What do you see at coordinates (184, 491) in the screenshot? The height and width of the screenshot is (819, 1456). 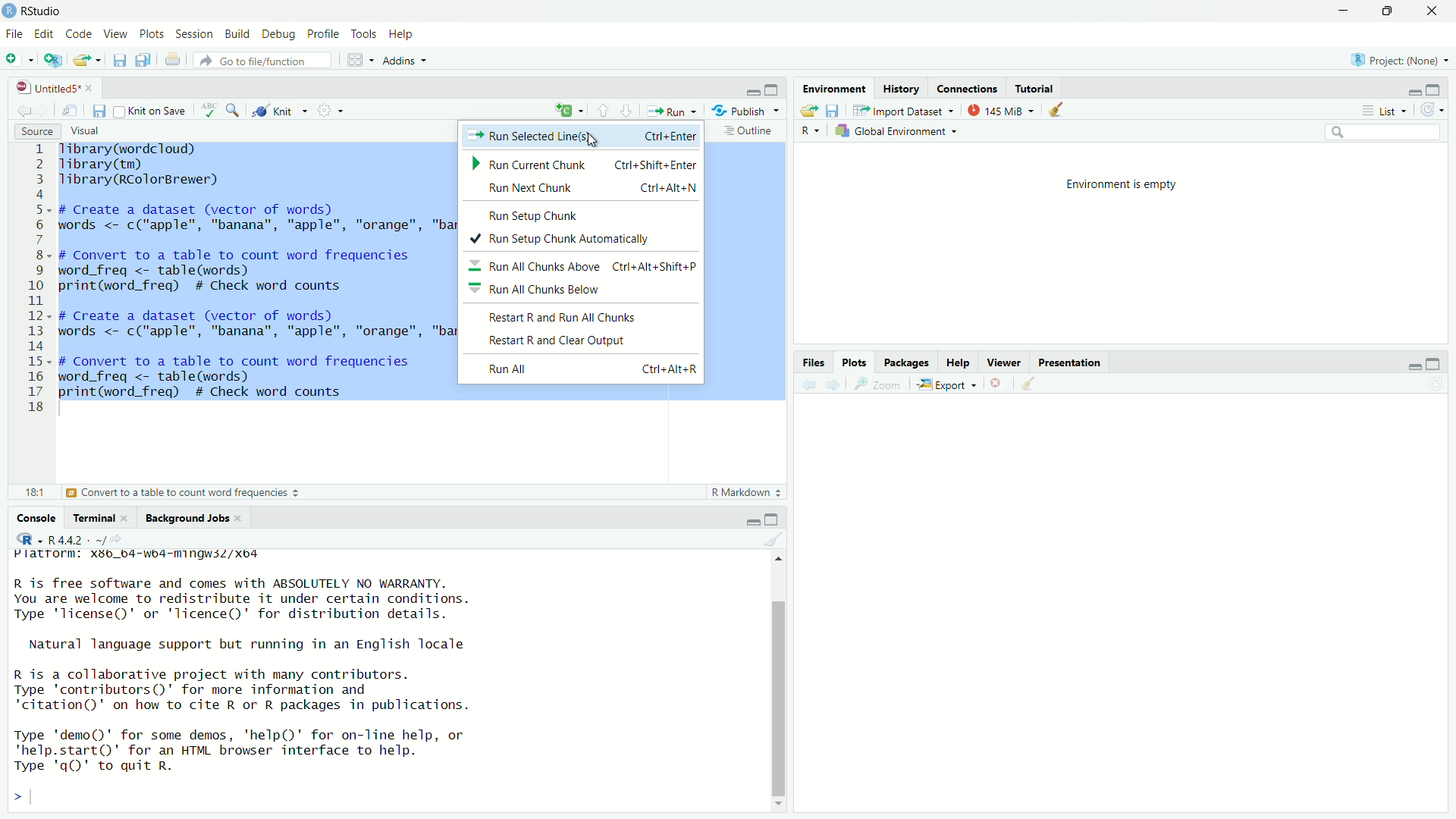 I see `Convert to a table to count word frequencies` at bounding box center [184, 491].